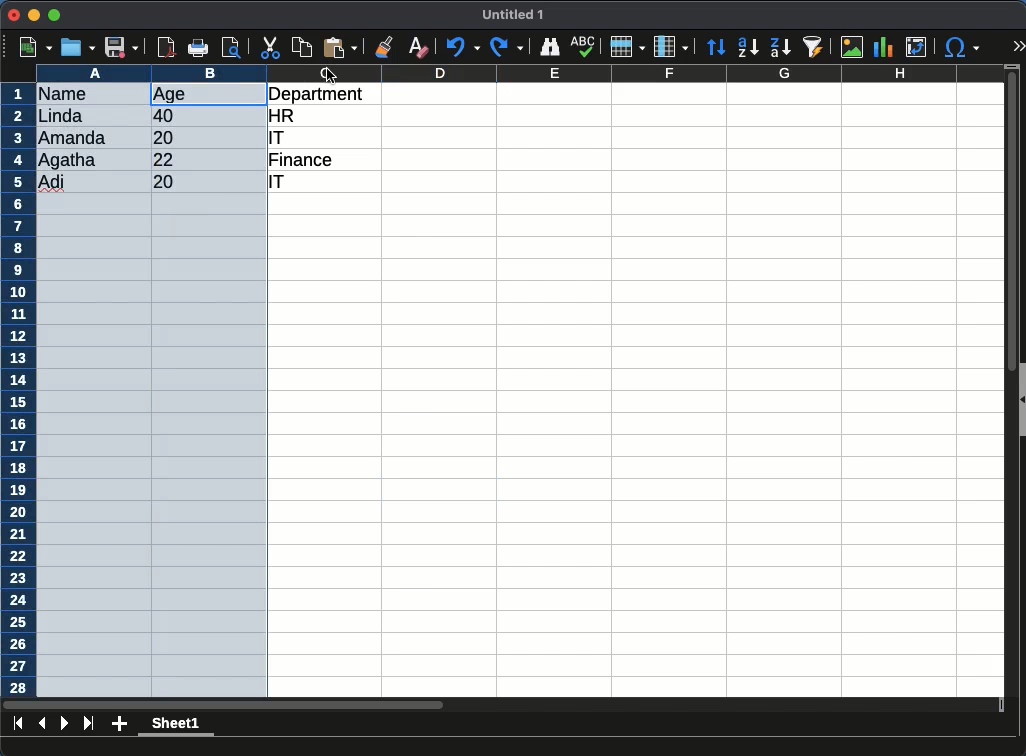 The image size is (1026, 756). Describe the element at coordinates (584, 44) in the screenshot. I see `spell check` at that location.